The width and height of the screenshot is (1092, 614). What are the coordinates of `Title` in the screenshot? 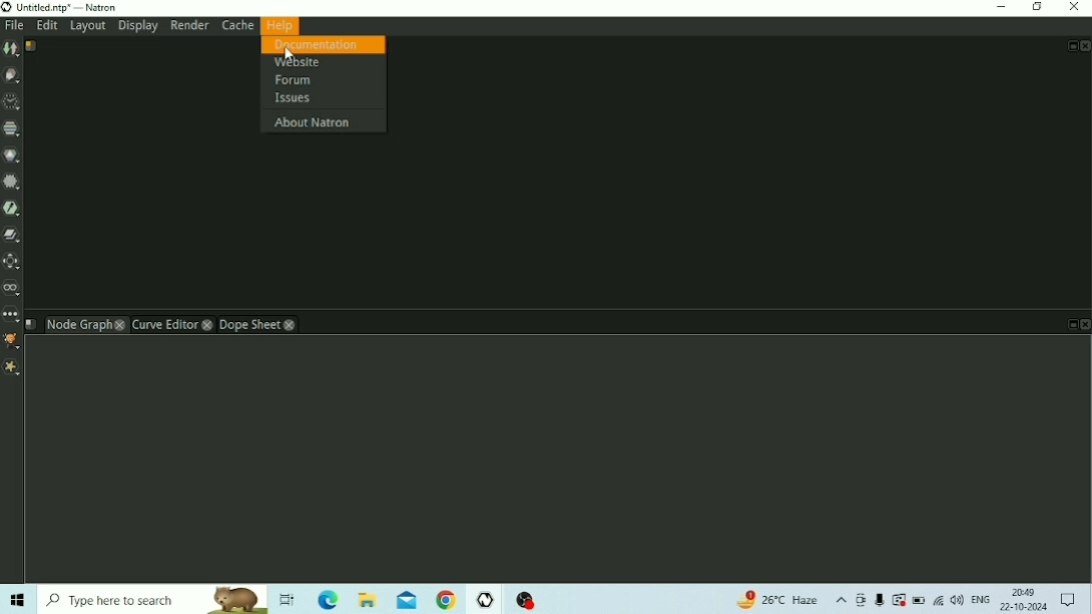 It's located at (68, 8).